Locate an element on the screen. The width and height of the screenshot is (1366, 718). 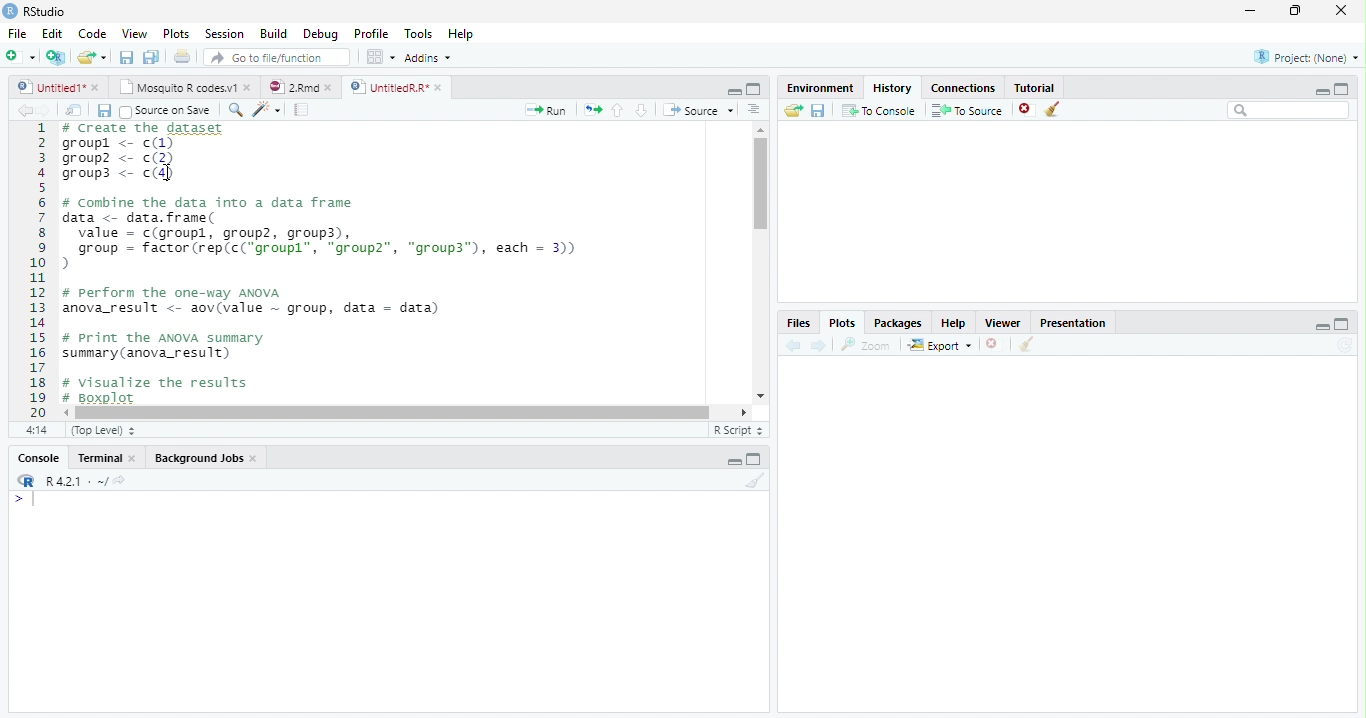
Help is located at coordinates (460, 36).